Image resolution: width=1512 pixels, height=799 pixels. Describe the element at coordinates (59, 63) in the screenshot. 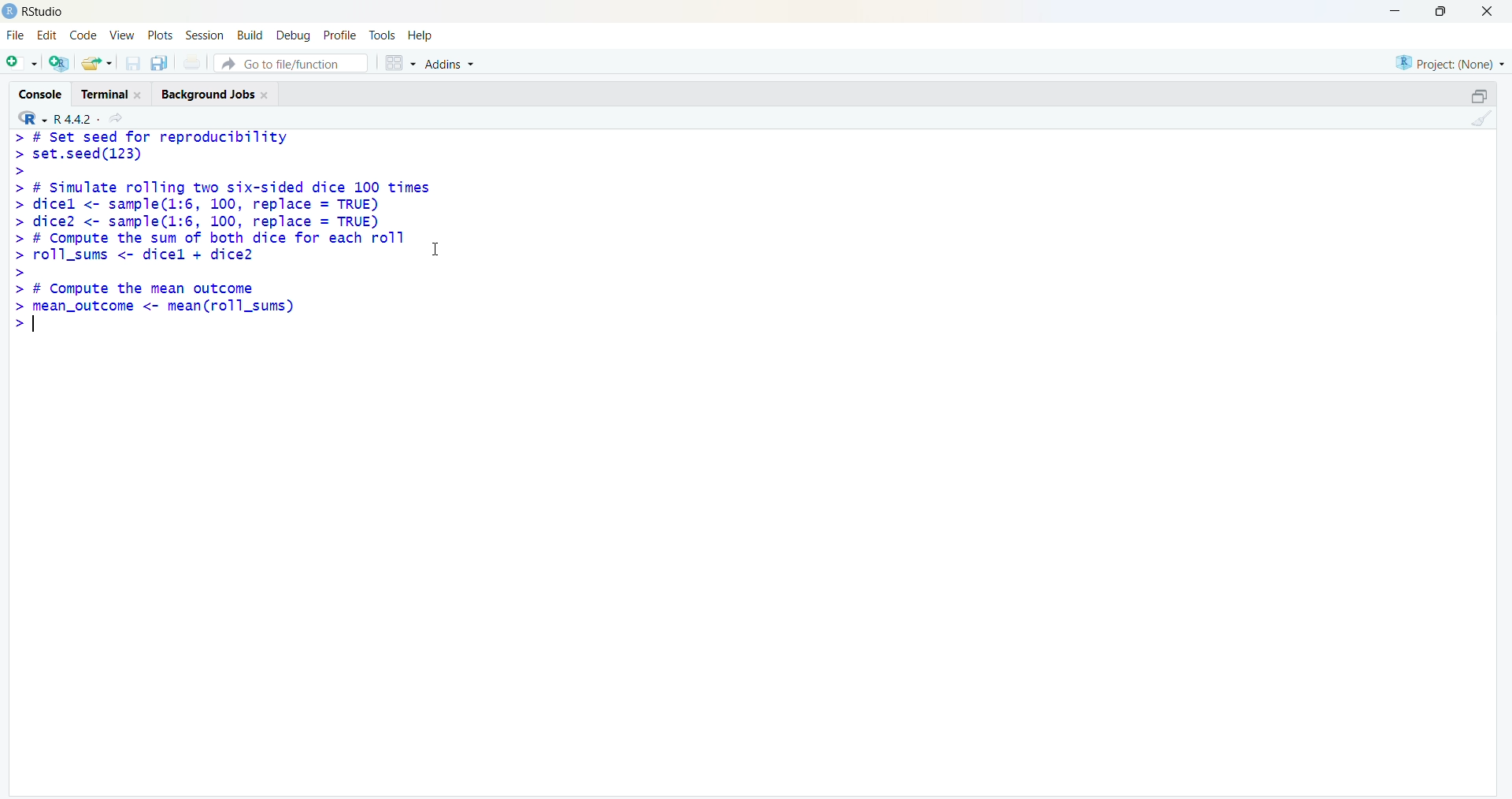

I see `add R file` at that location.